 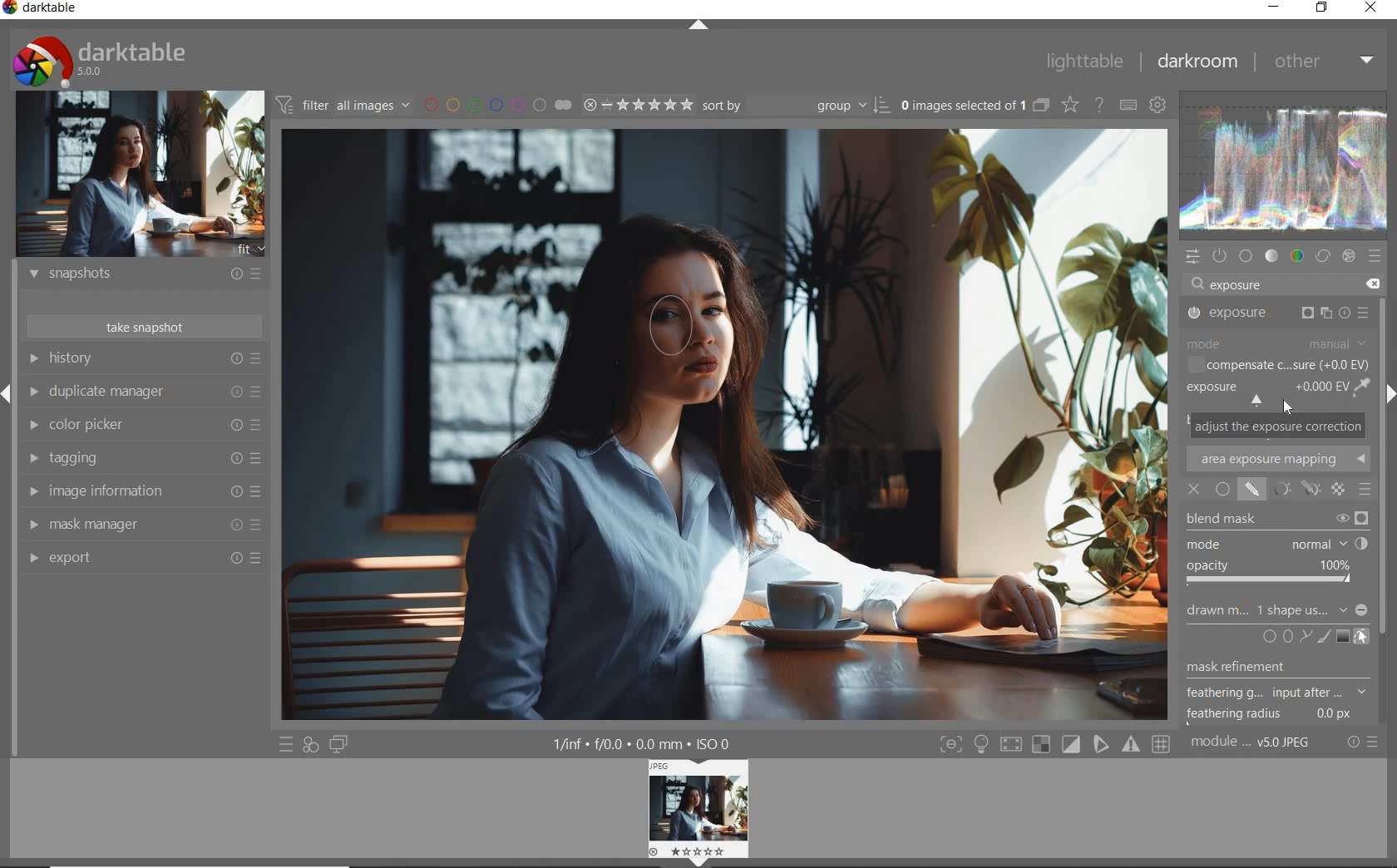 What do you see at coordinates (1085, 60) in the screenshot?
I see `lighttable` at bounding box center [1085, 60].